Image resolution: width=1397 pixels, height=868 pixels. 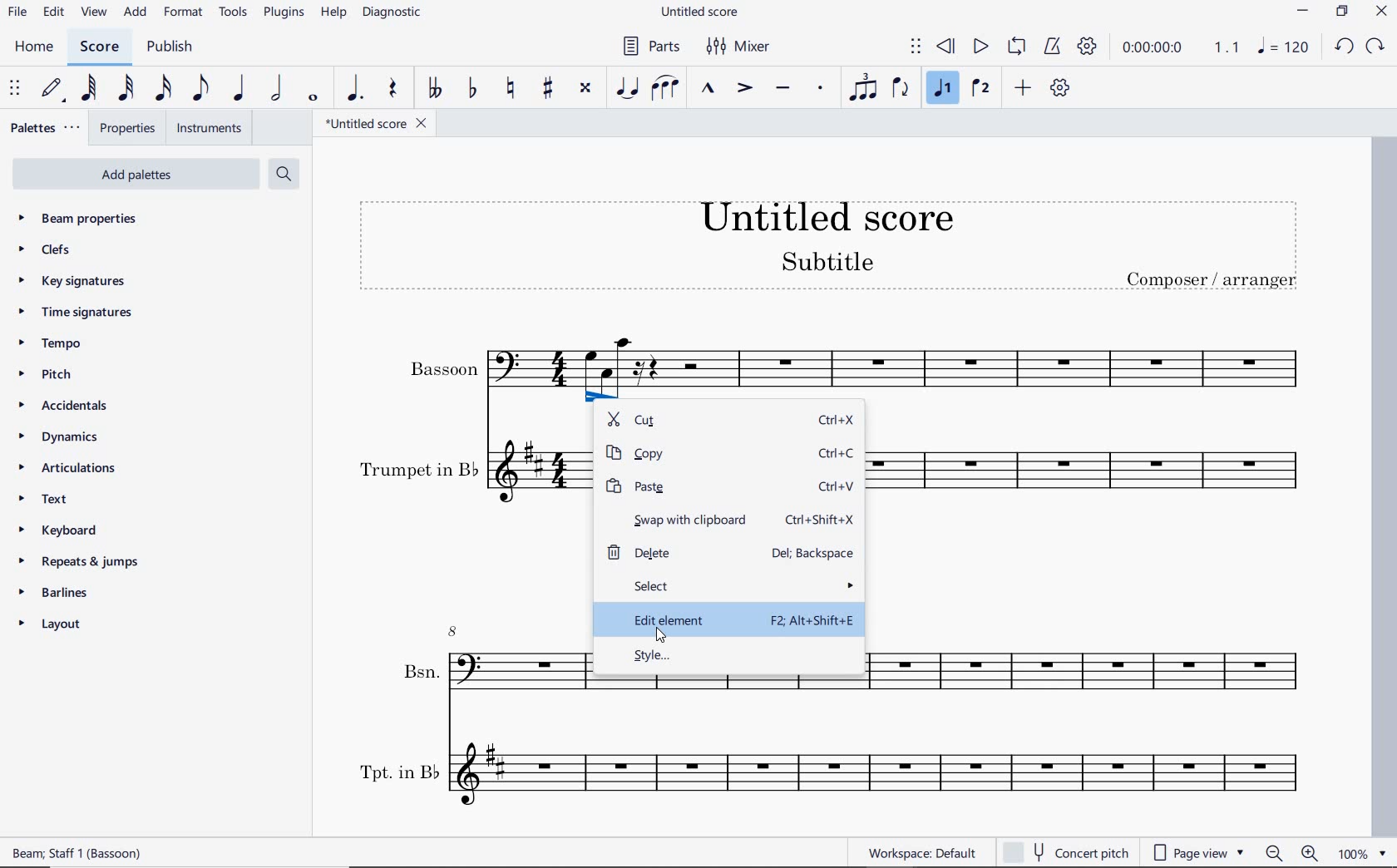 What do you see at coordinates (835, 243) in the screenshot?
I see `title` at bounding box center [835, 243].